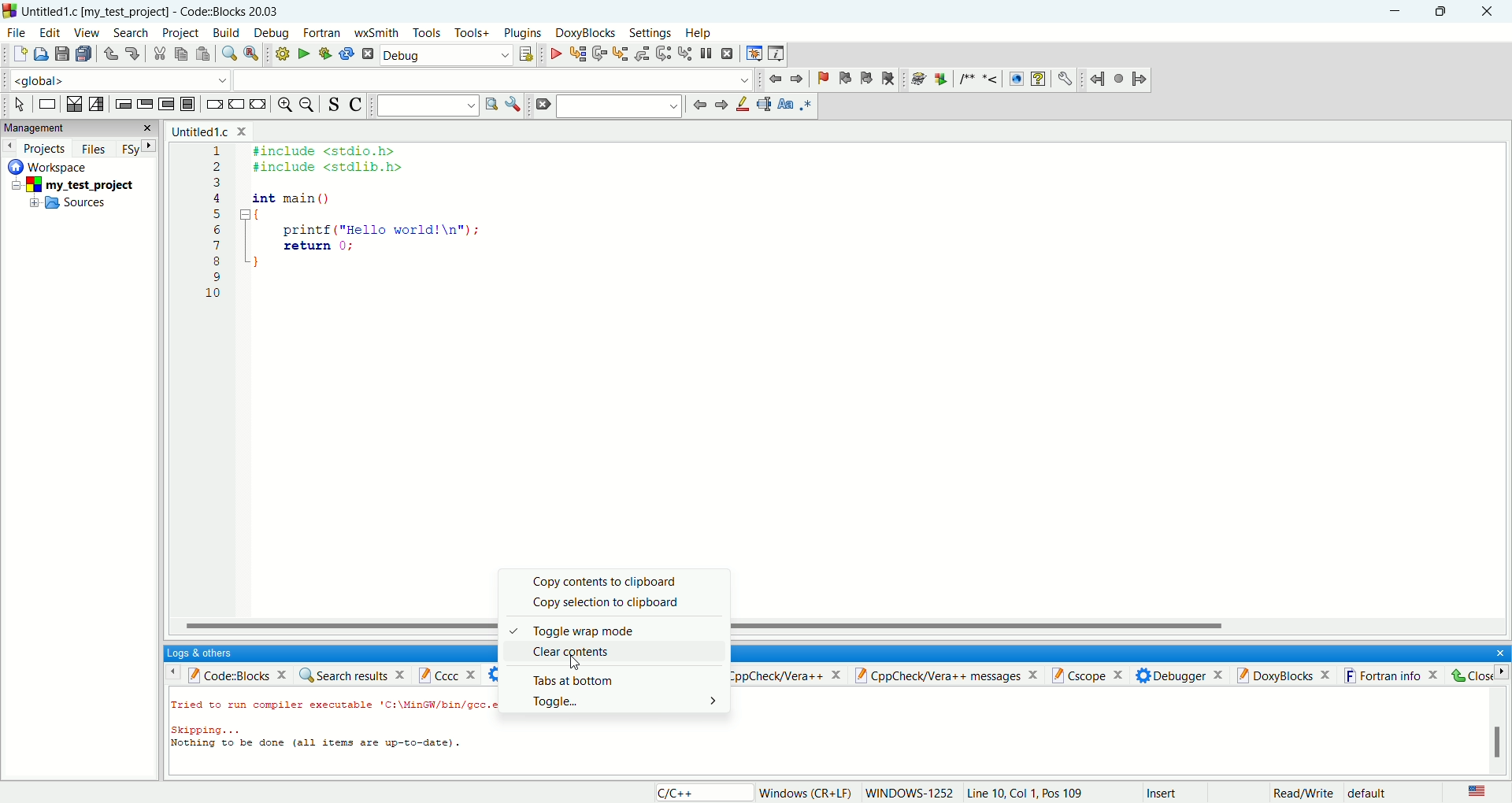  Describe the element at coordinates (69, 205) in the screenshot. I see `sources` at that location.